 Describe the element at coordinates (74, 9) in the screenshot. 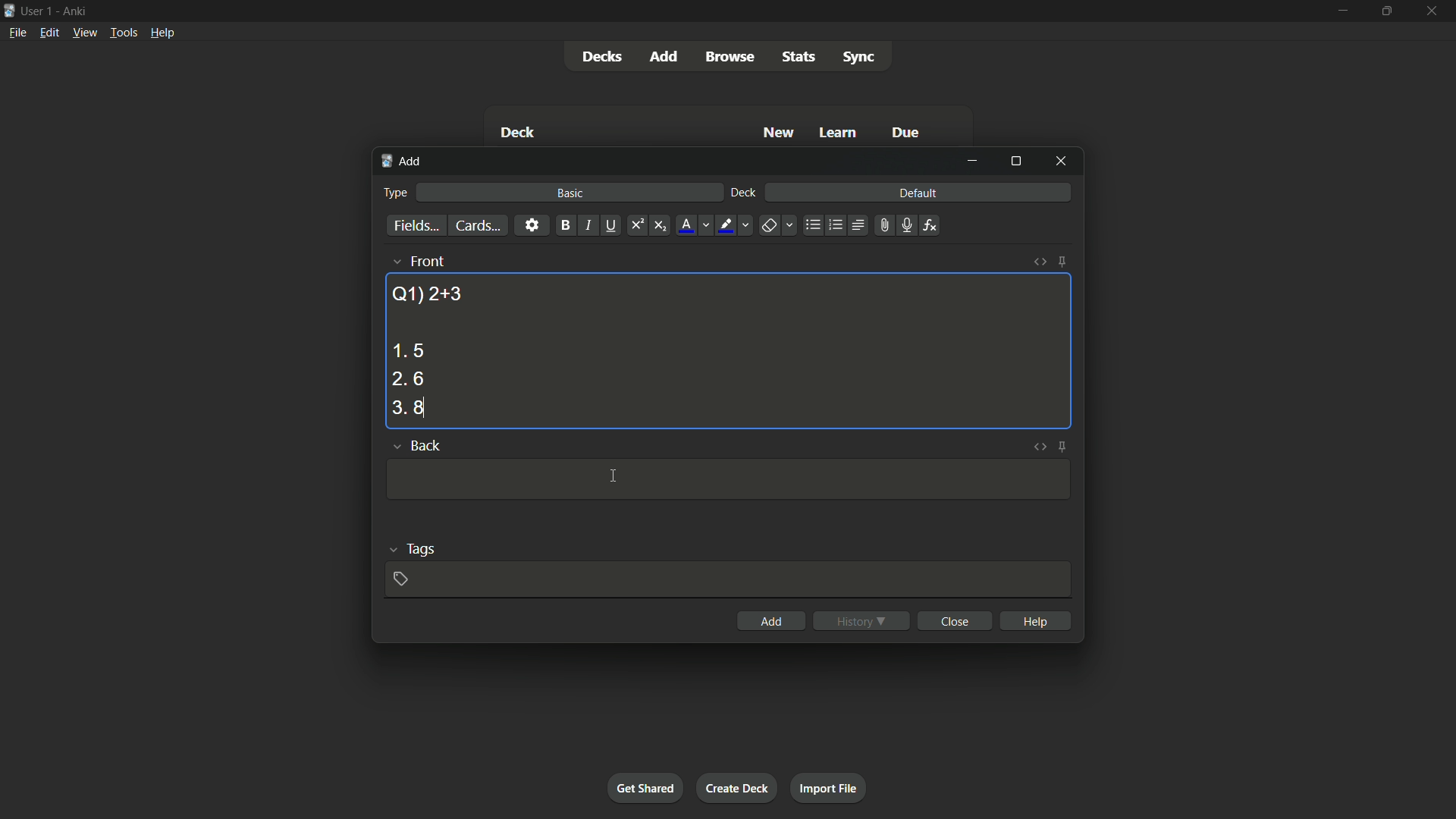

I see `app name` at that location.